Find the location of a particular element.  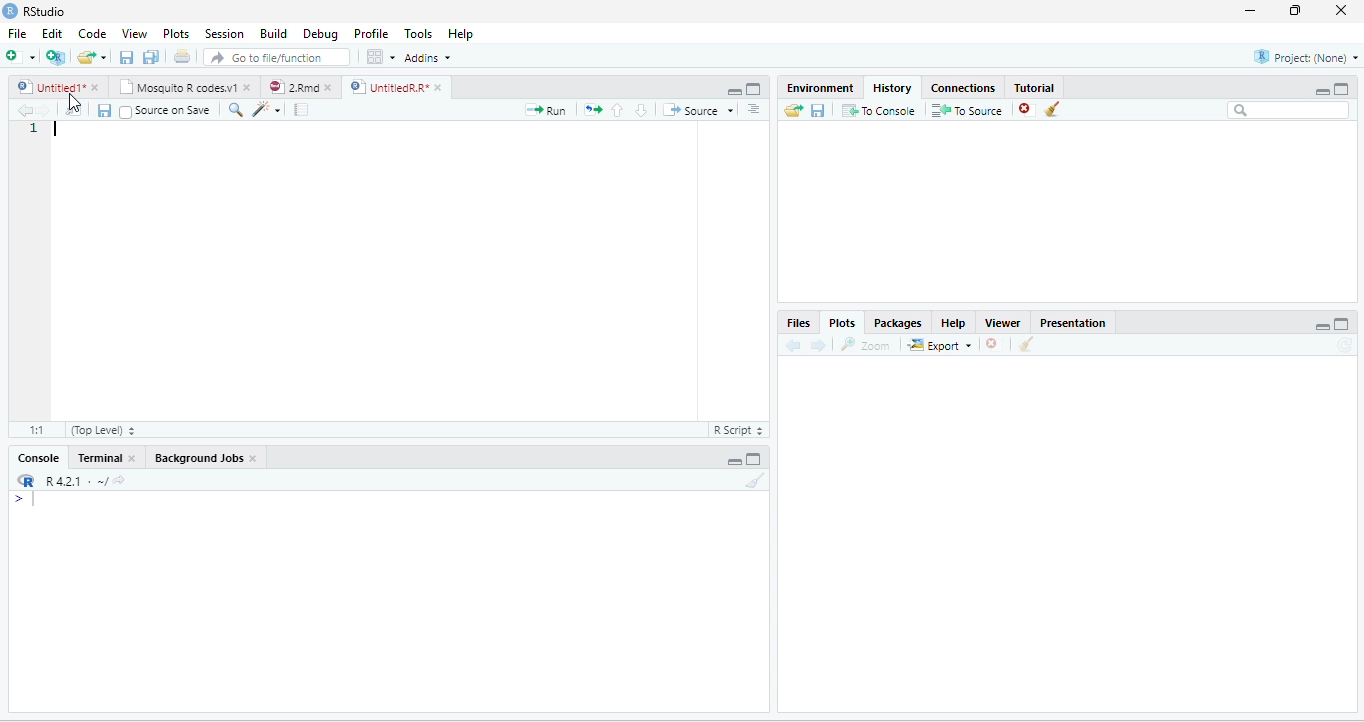

close is located at coordinates (254, 459).